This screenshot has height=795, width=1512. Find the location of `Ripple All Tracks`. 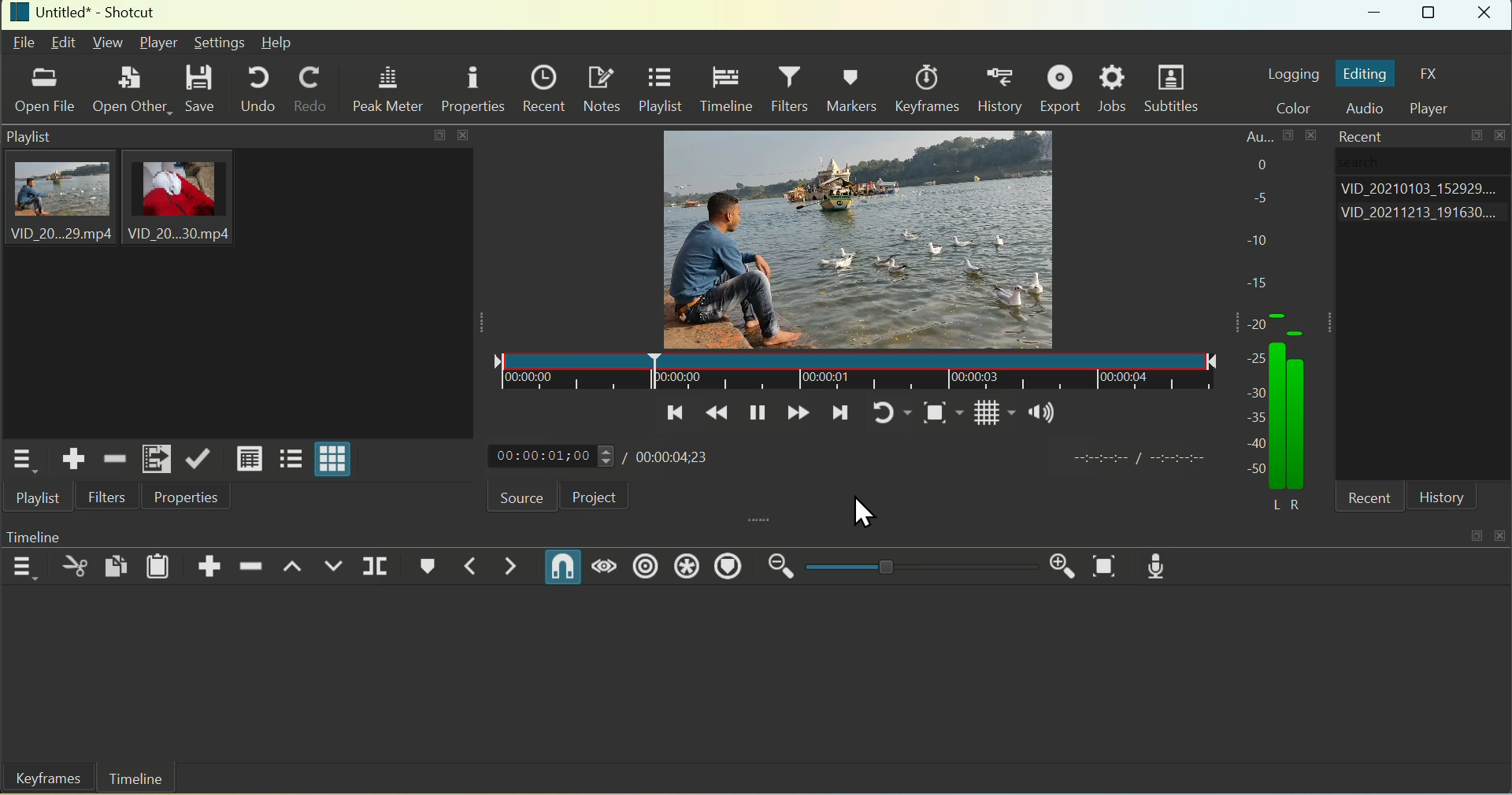

Ripple All Tracks is located at coordinates (685, 568).